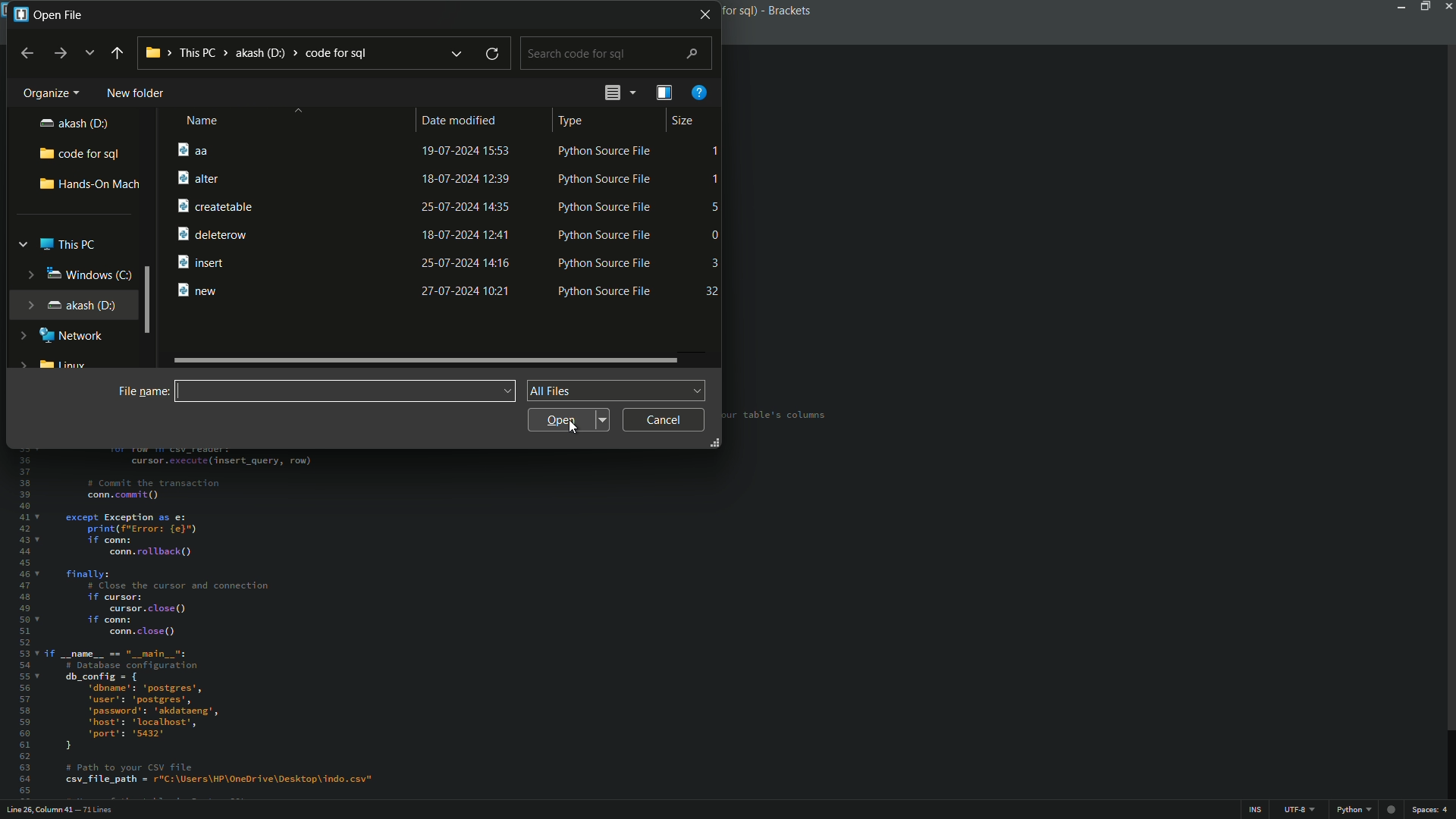 Image resolution: width=1456 pixels, height=819 pixels. Describe the element at coordinates (767, 10) in the screenshot. I see `app name` at that location.